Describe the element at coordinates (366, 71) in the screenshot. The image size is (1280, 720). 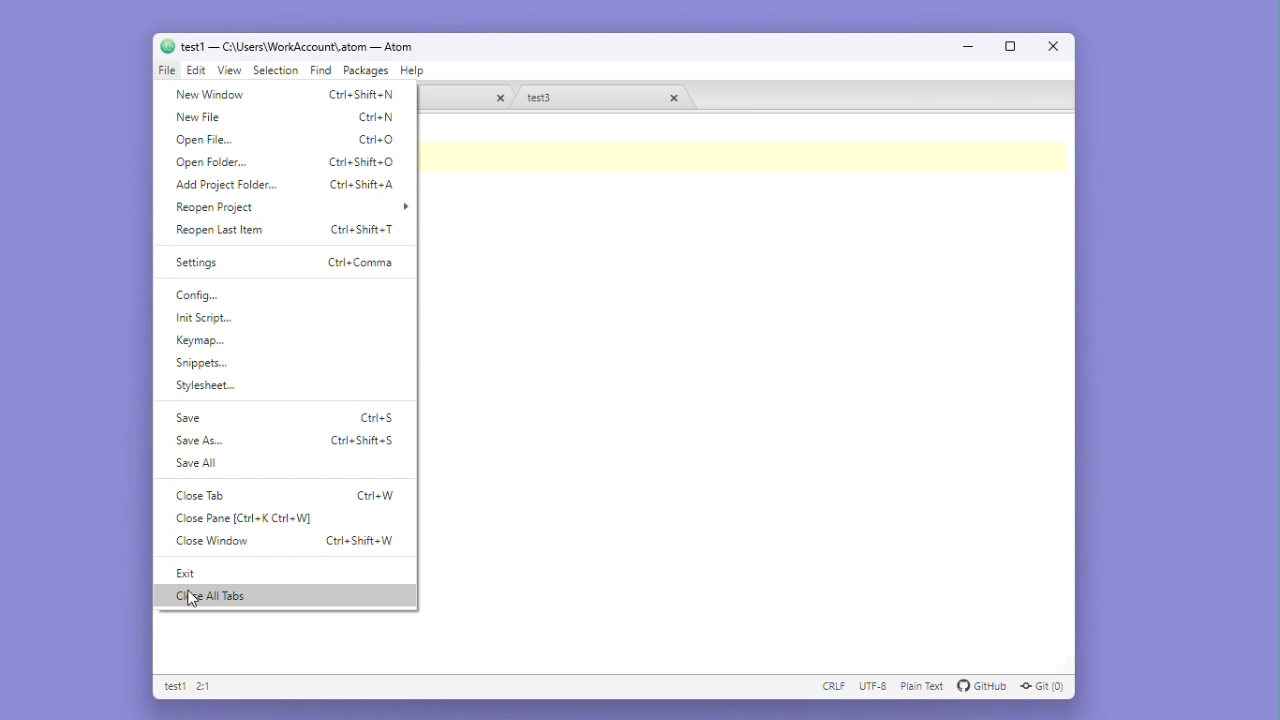
I see `Packages` at that location.